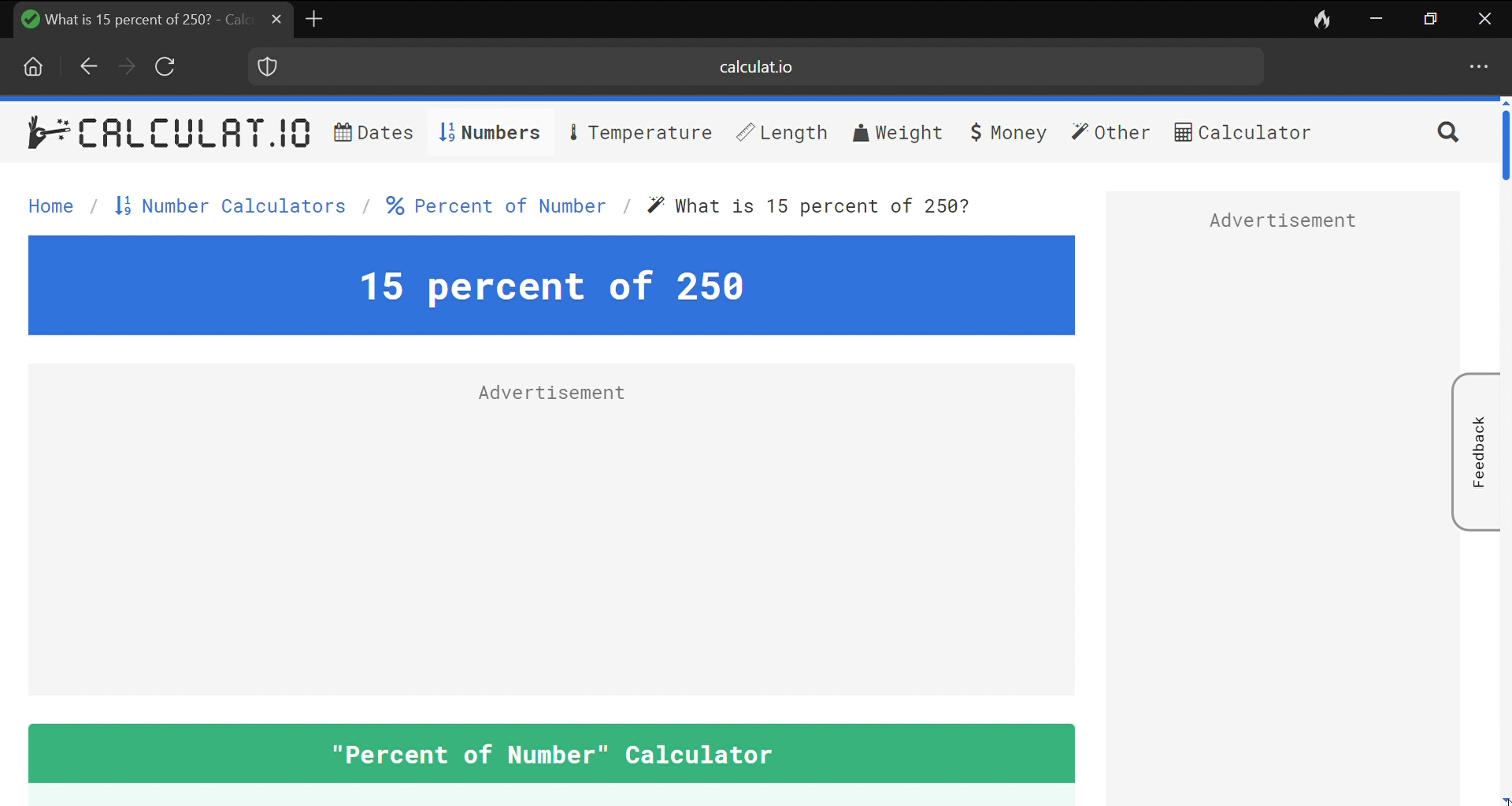  I want to click on Leave no trace, so click(1324, 18).